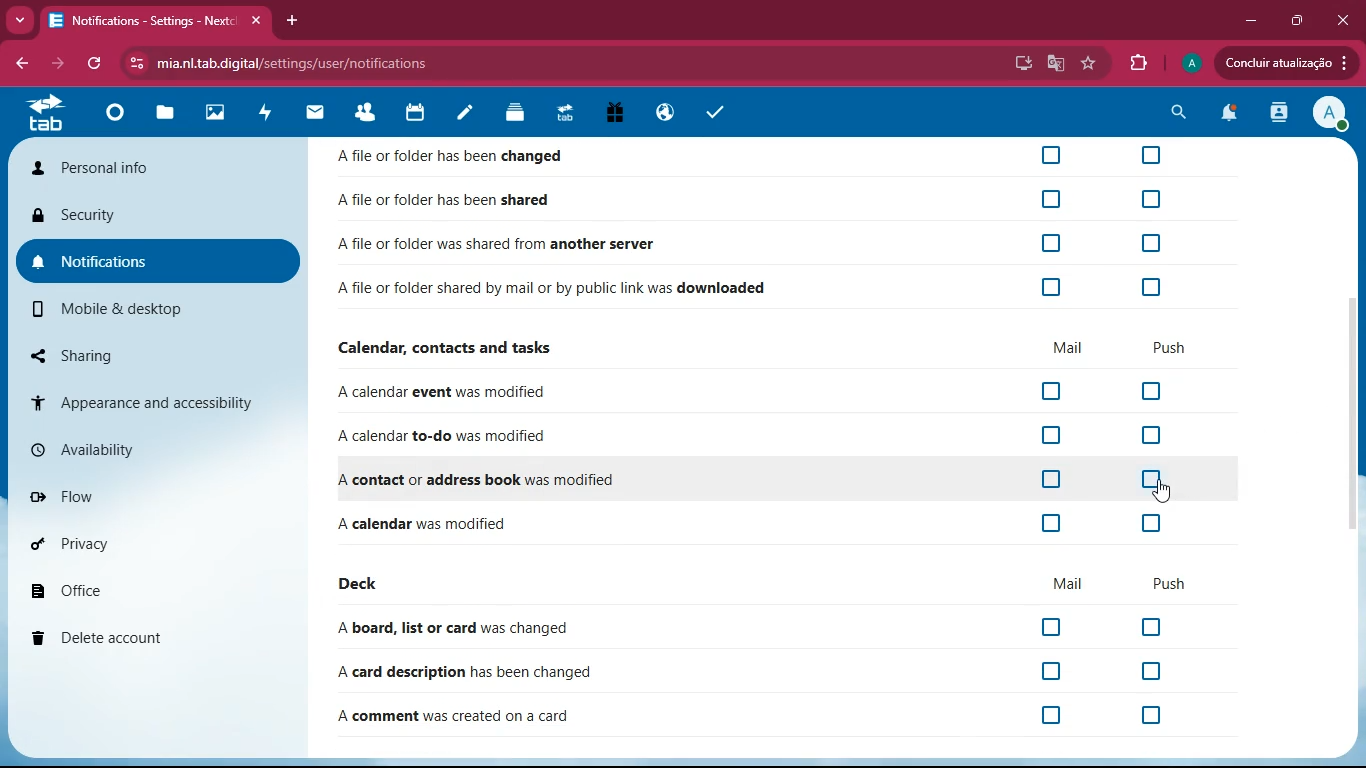  Describe the element at coordinates (1051, 199) in the screenshot. I see `off` at that location.